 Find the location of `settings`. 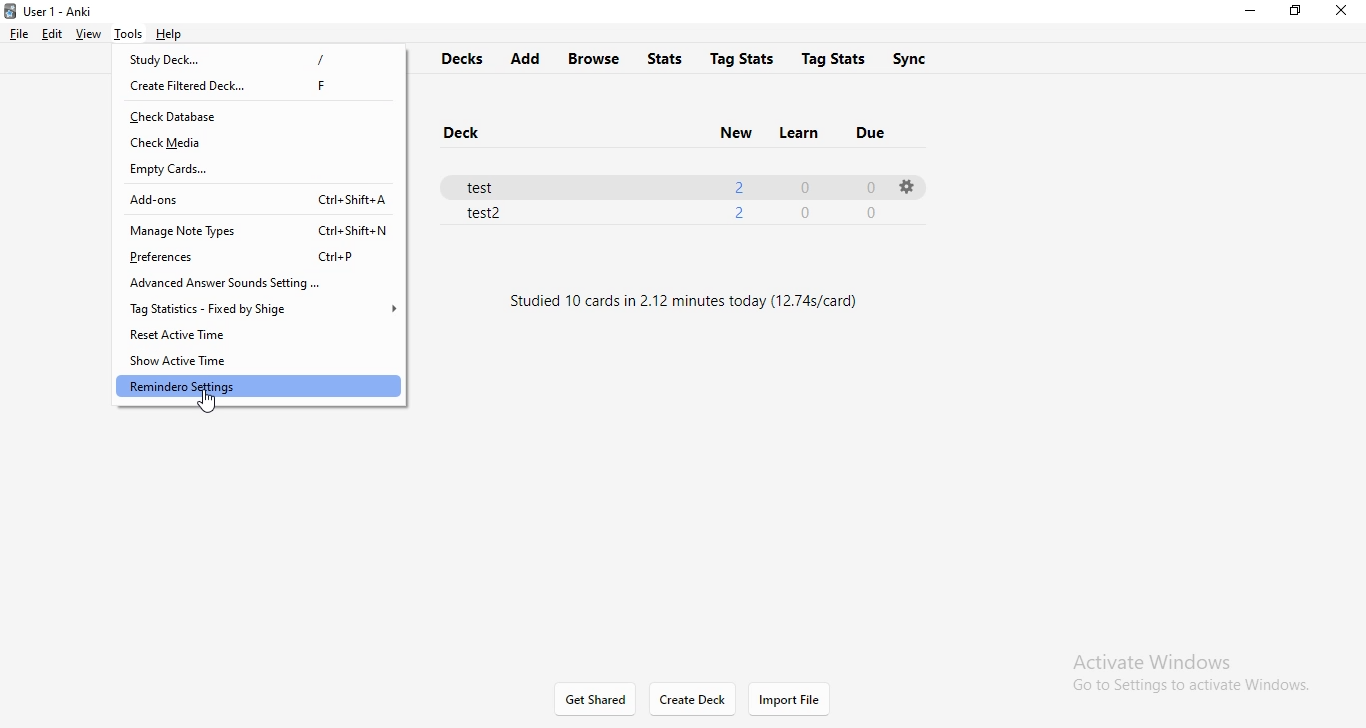

settings is located at coordinates (905, 186).